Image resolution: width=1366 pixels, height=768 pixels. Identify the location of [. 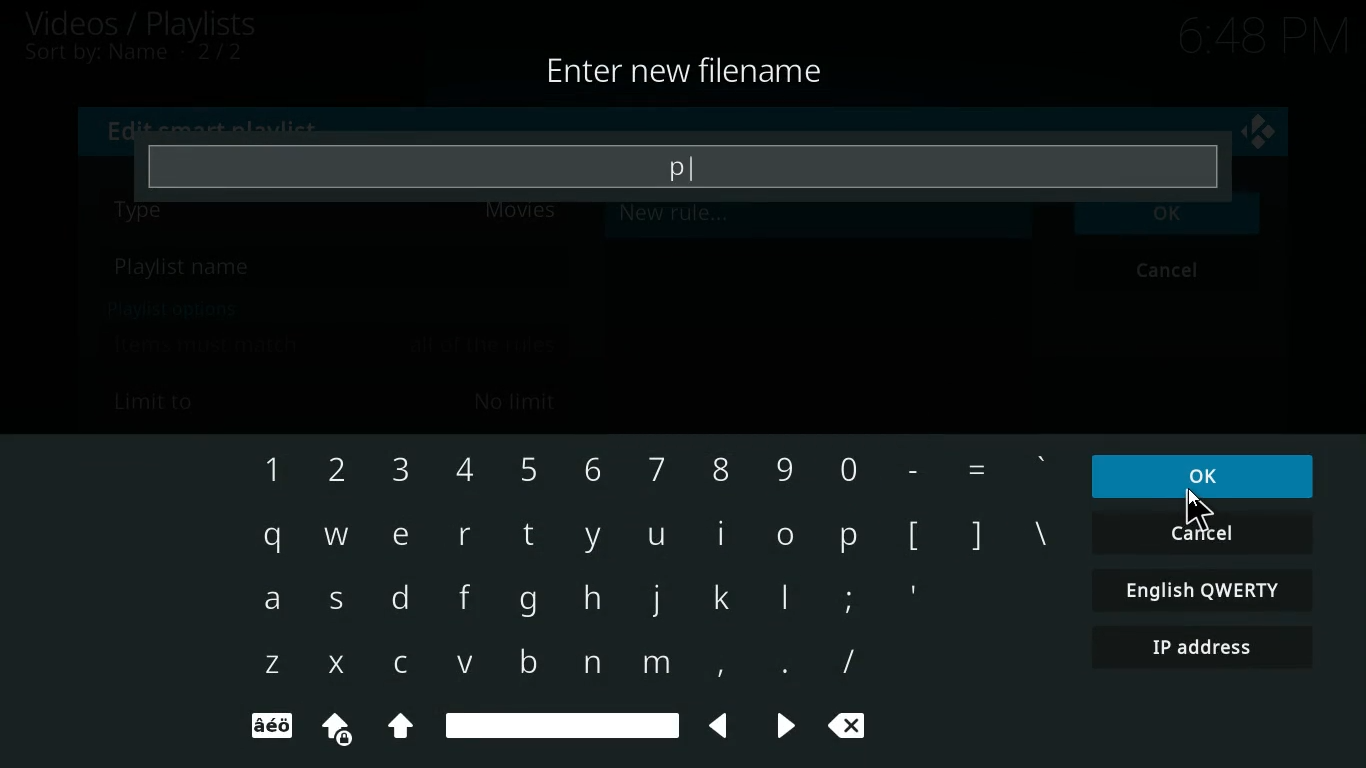
(913, 537).